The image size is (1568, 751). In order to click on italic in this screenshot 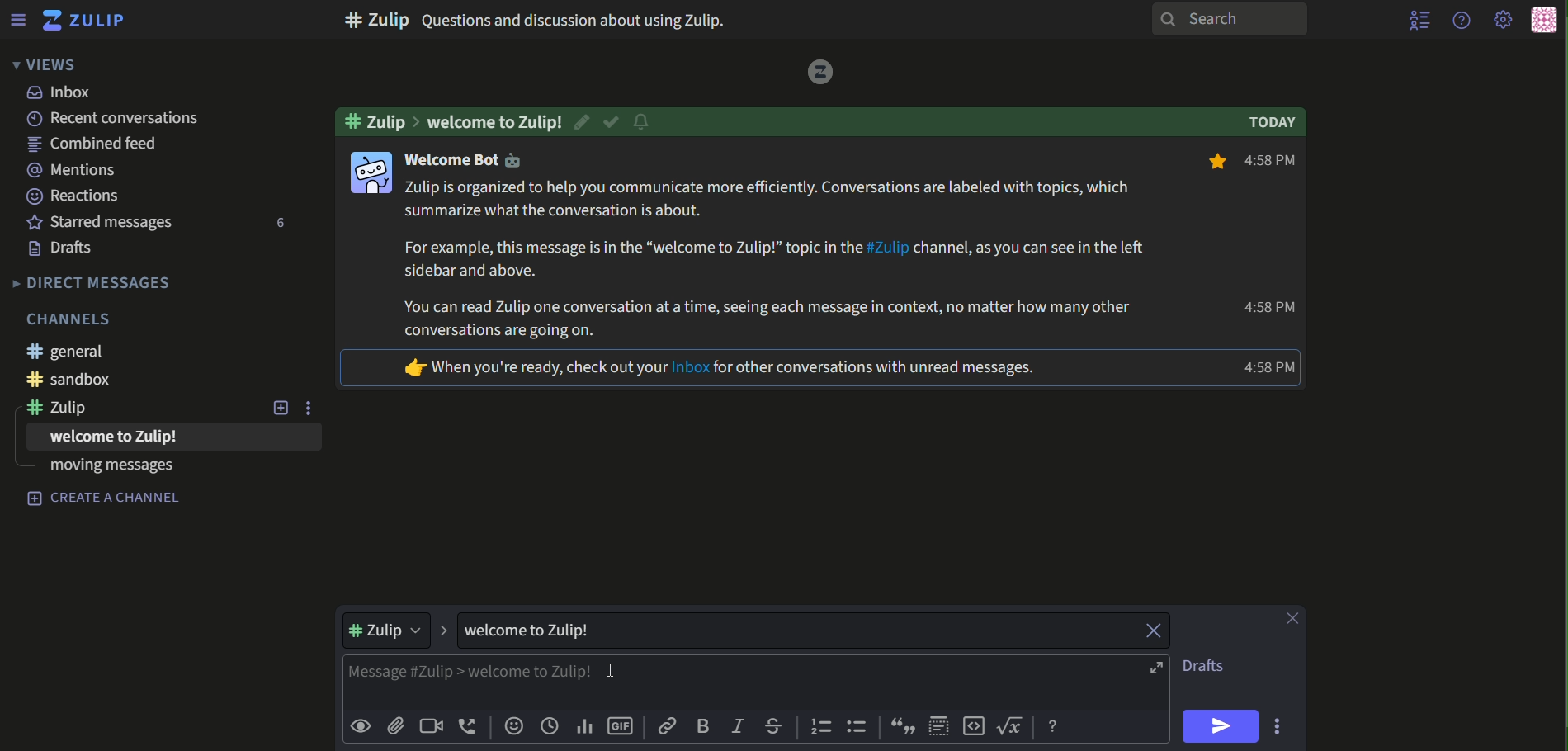, I will do `click(739, 724)`.